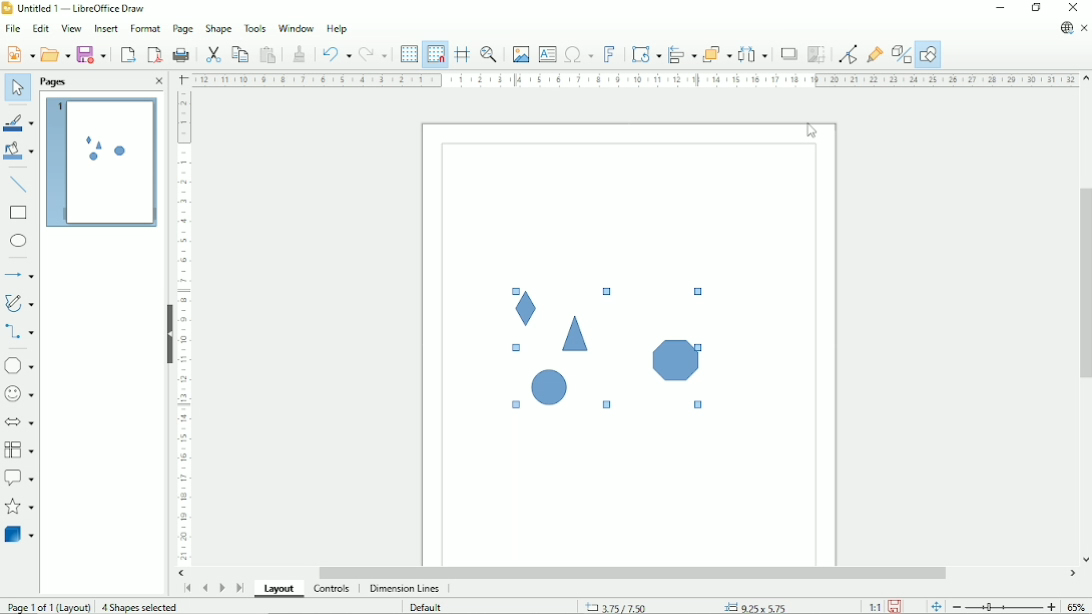 Image resolution: width=1092 pixels, height=614 pixels. Describe the element at coordinates (408, 54) in the screenshot. I see `Display grid` at that location.